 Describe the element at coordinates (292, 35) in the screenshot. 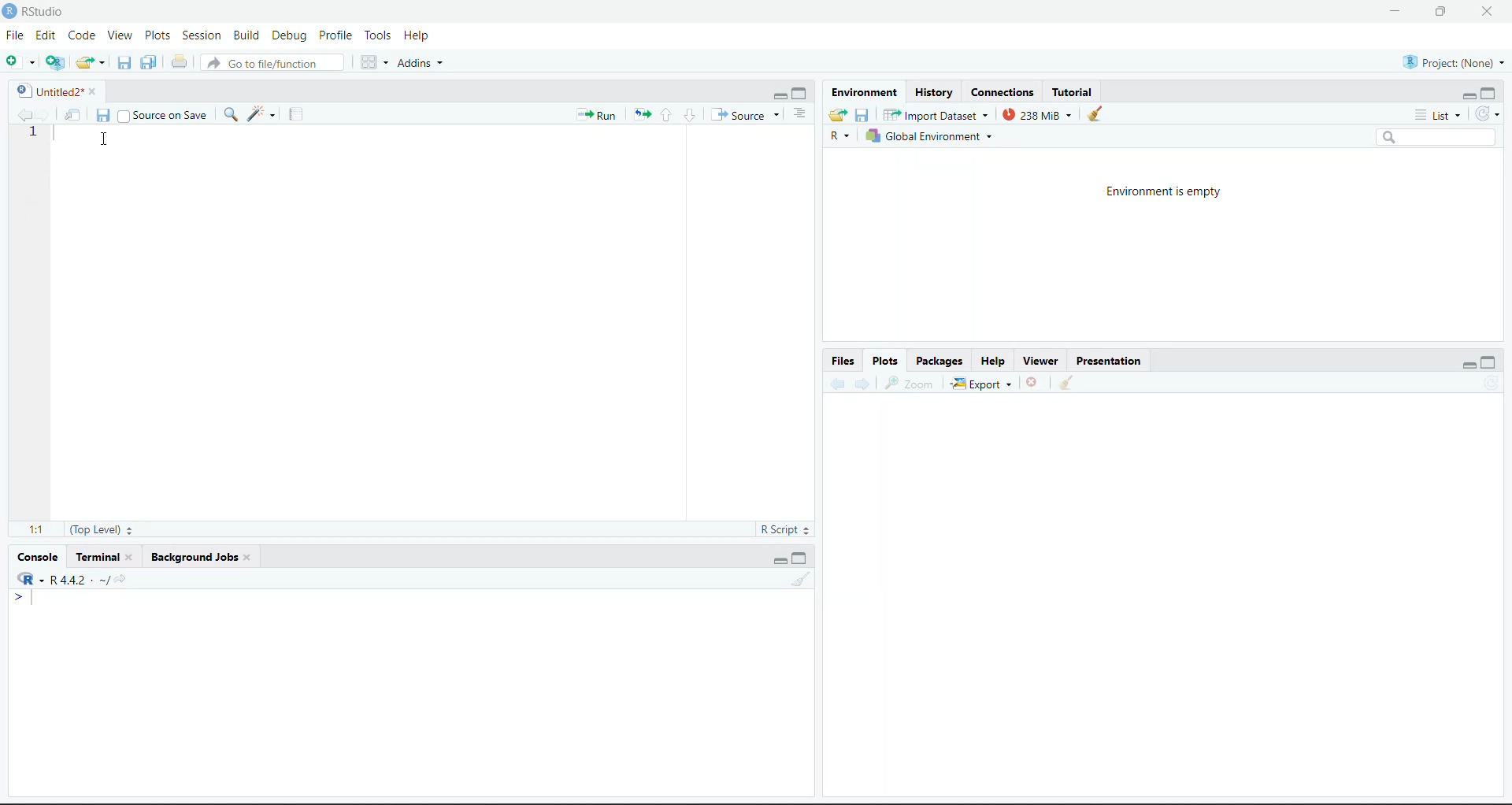

I see `Debug` at that location.